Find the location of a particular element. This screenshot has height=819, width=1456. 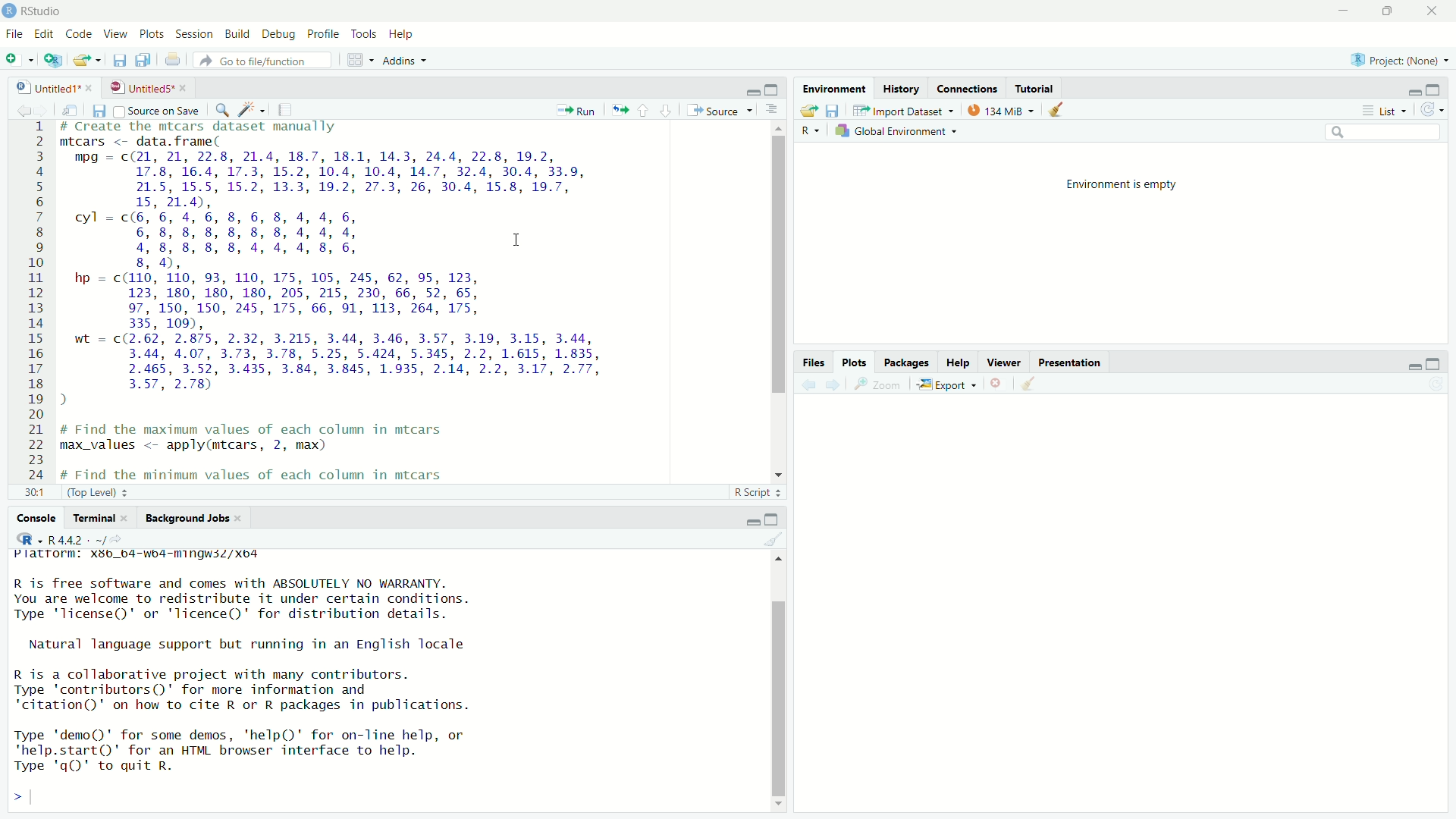

Help is located at coordinates (953, 360).